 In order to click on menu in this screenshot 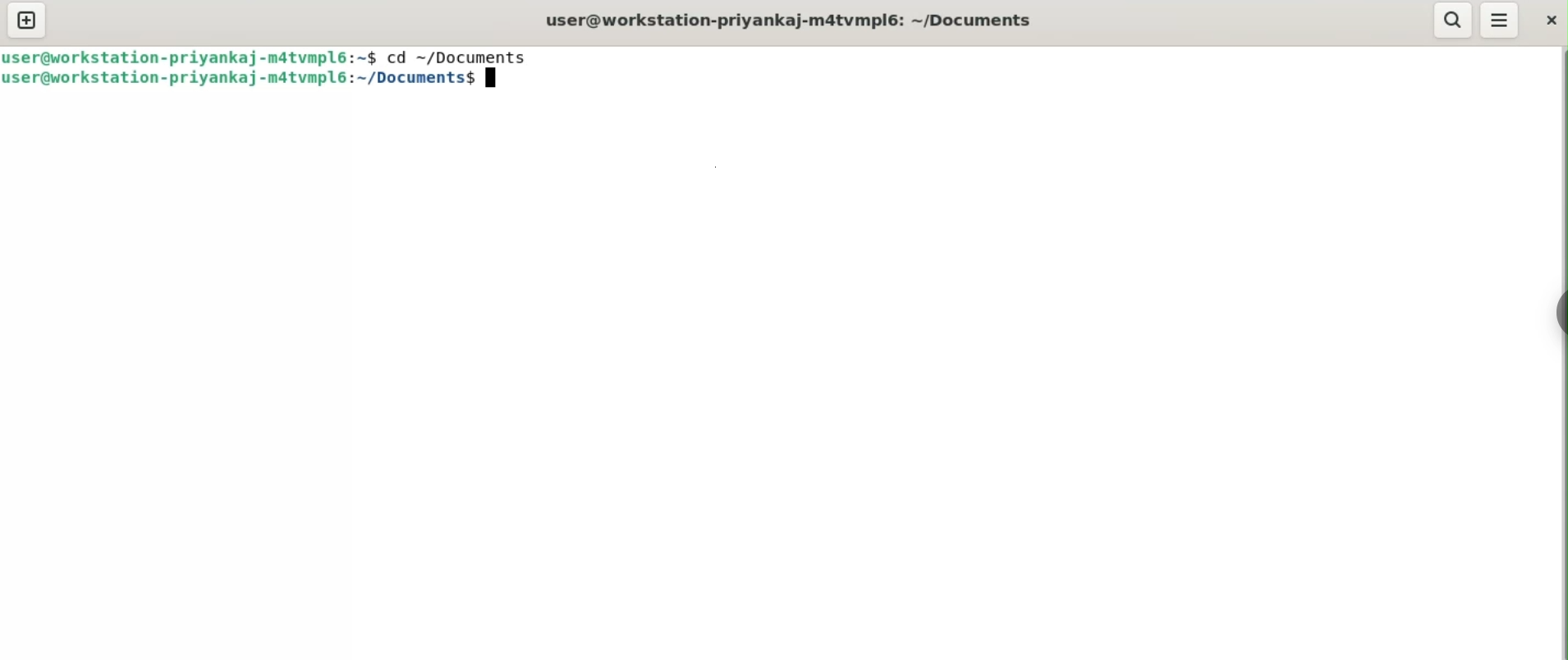, I will do `click(1501, 20)`.